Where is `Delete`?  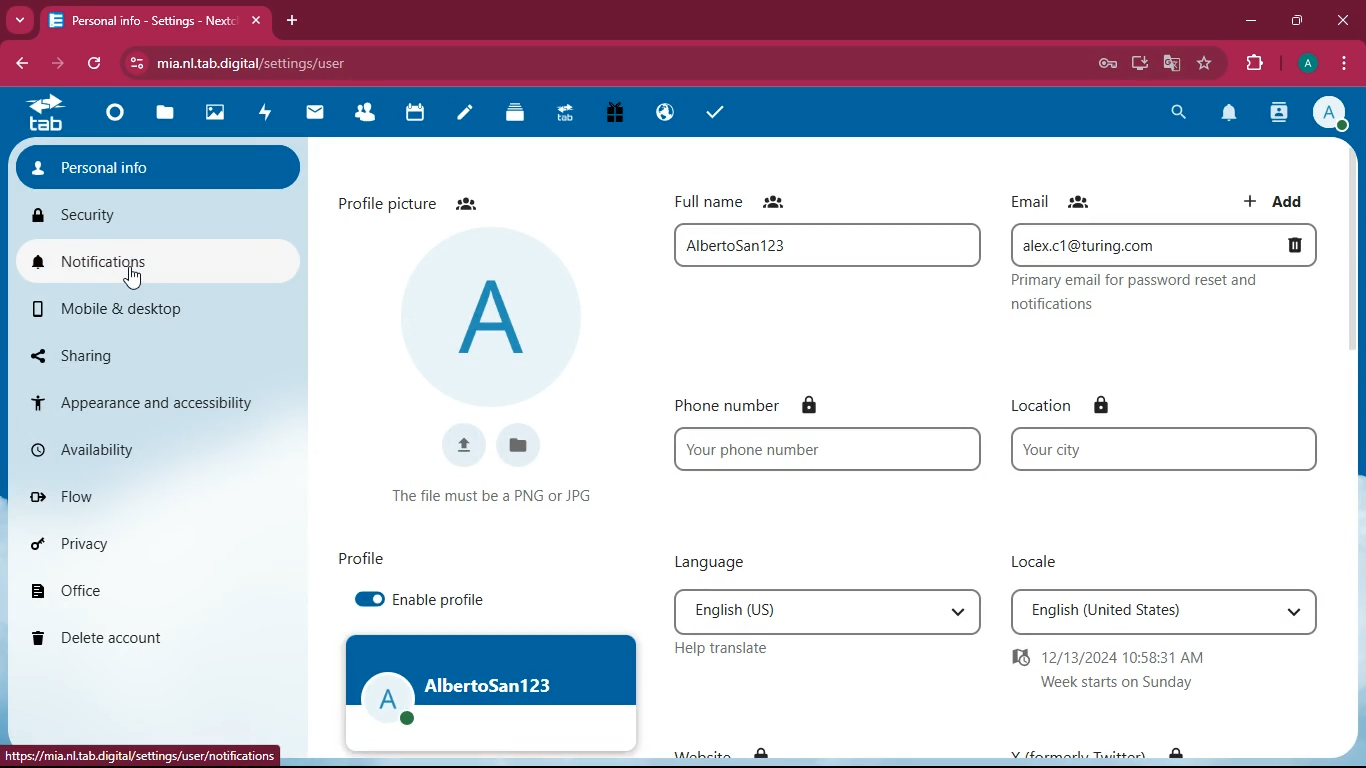 Delete is located at coordinates (1298, 246).